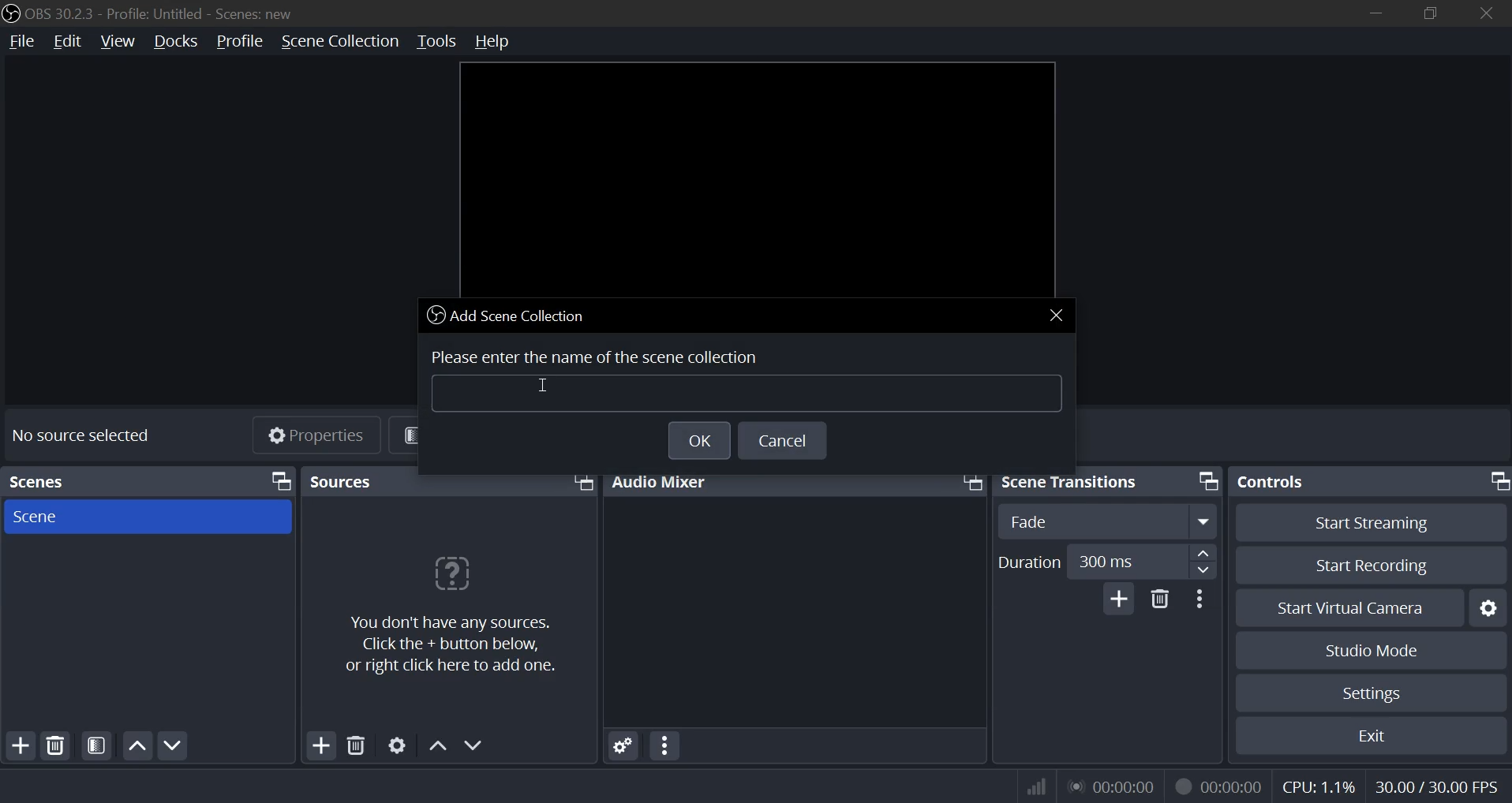 This screenshot has height=803, width=1512. I want to click on up, so click(1202, 552).